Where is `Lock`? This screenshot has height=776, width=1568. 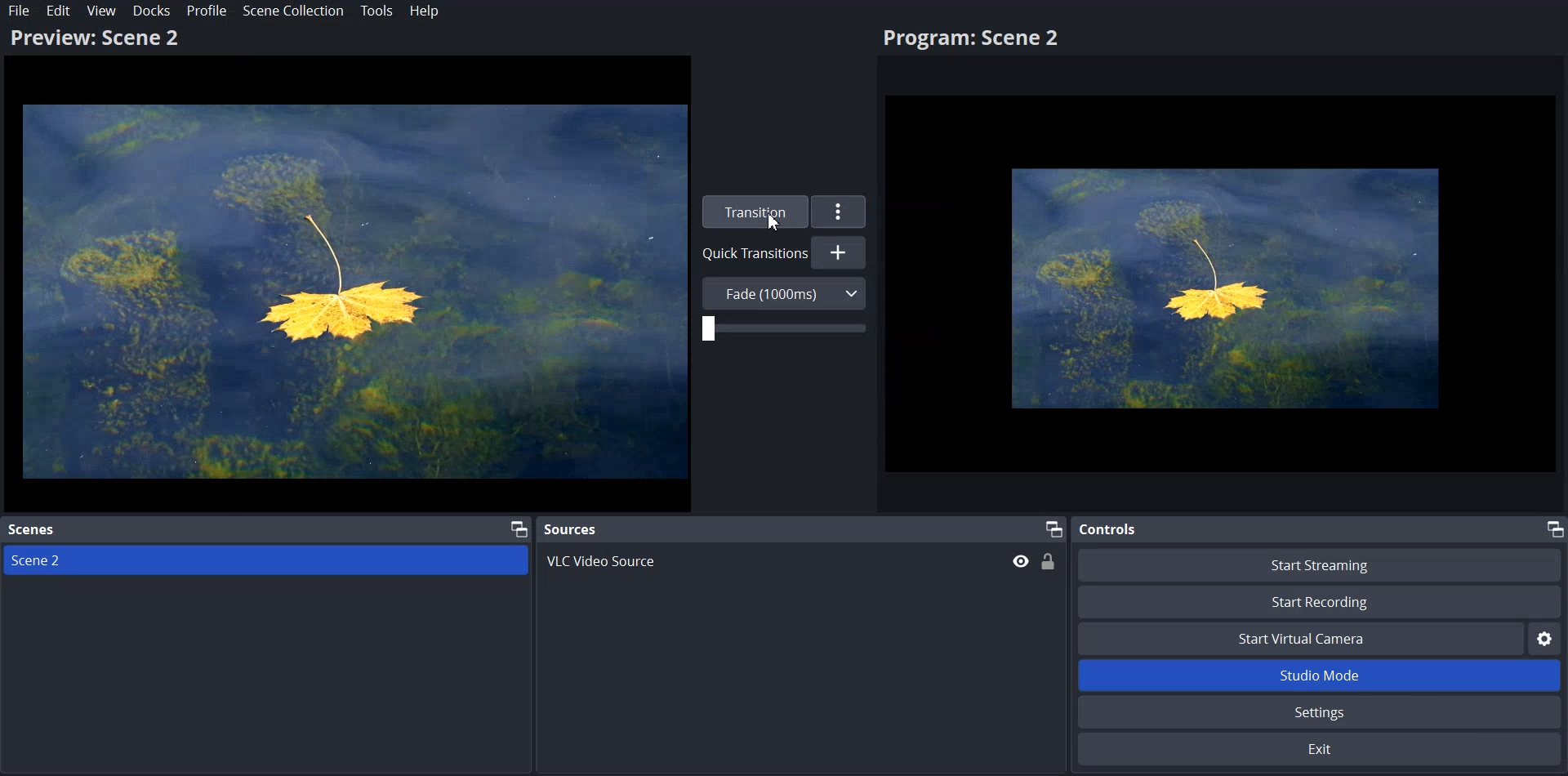 Lock is located at coordinates (1050, 561).